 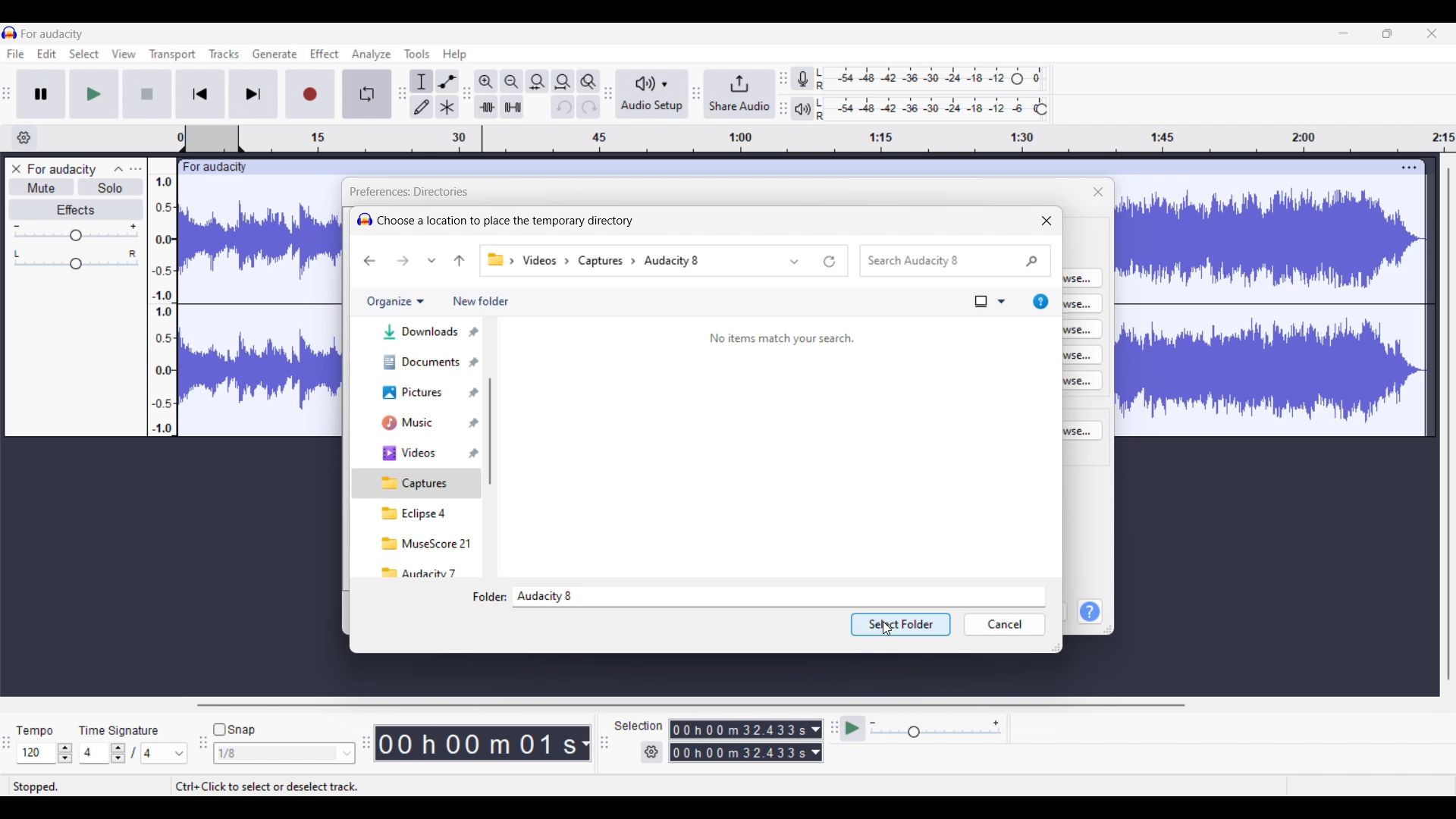 What do you see at coordinates (16, 54) in the screenshot?
I see `File menu` at bounding box center [16, 54].